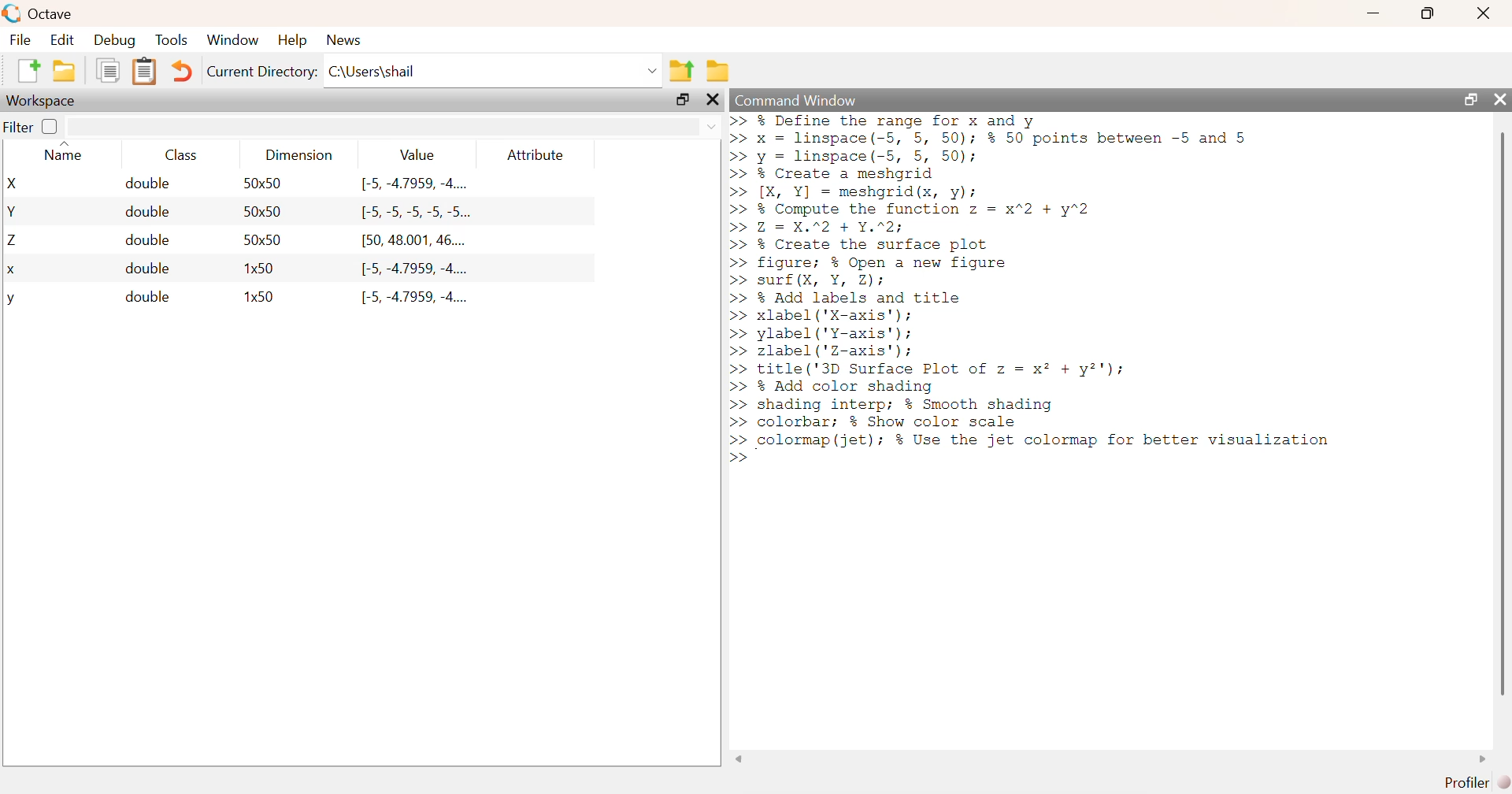 This screenshot has height=794, width=1512. What do you see at coordinates (68, 152) in the screenshot?
I see `Name` at bounding box center [68, 152].